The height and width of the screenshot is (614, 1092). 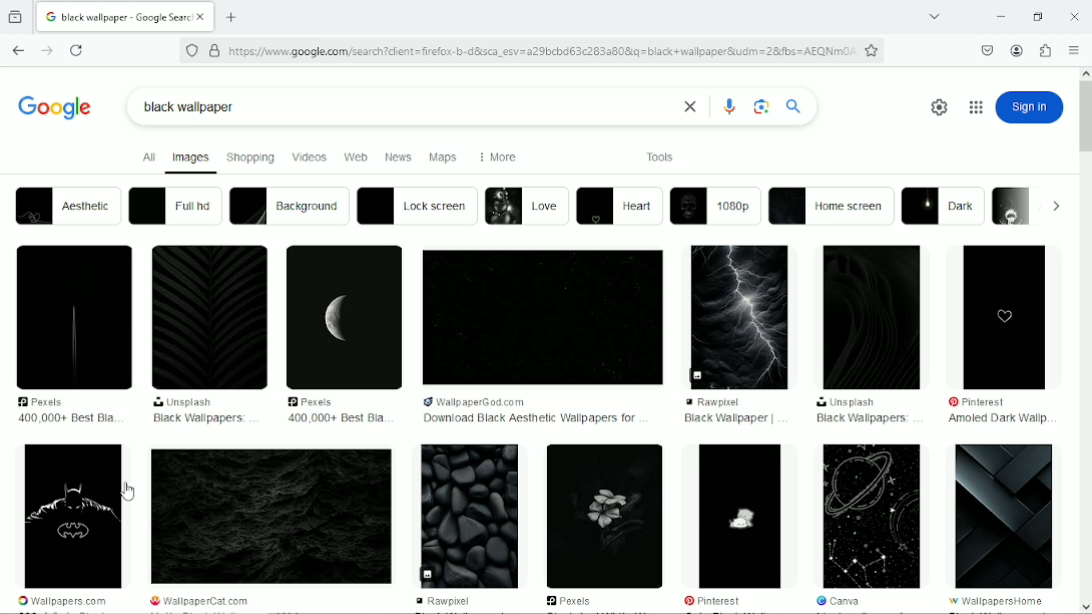 What do you see at coordinates (944, 206) in the screenshot?
I see `dark` at bounding box center [944, 206].